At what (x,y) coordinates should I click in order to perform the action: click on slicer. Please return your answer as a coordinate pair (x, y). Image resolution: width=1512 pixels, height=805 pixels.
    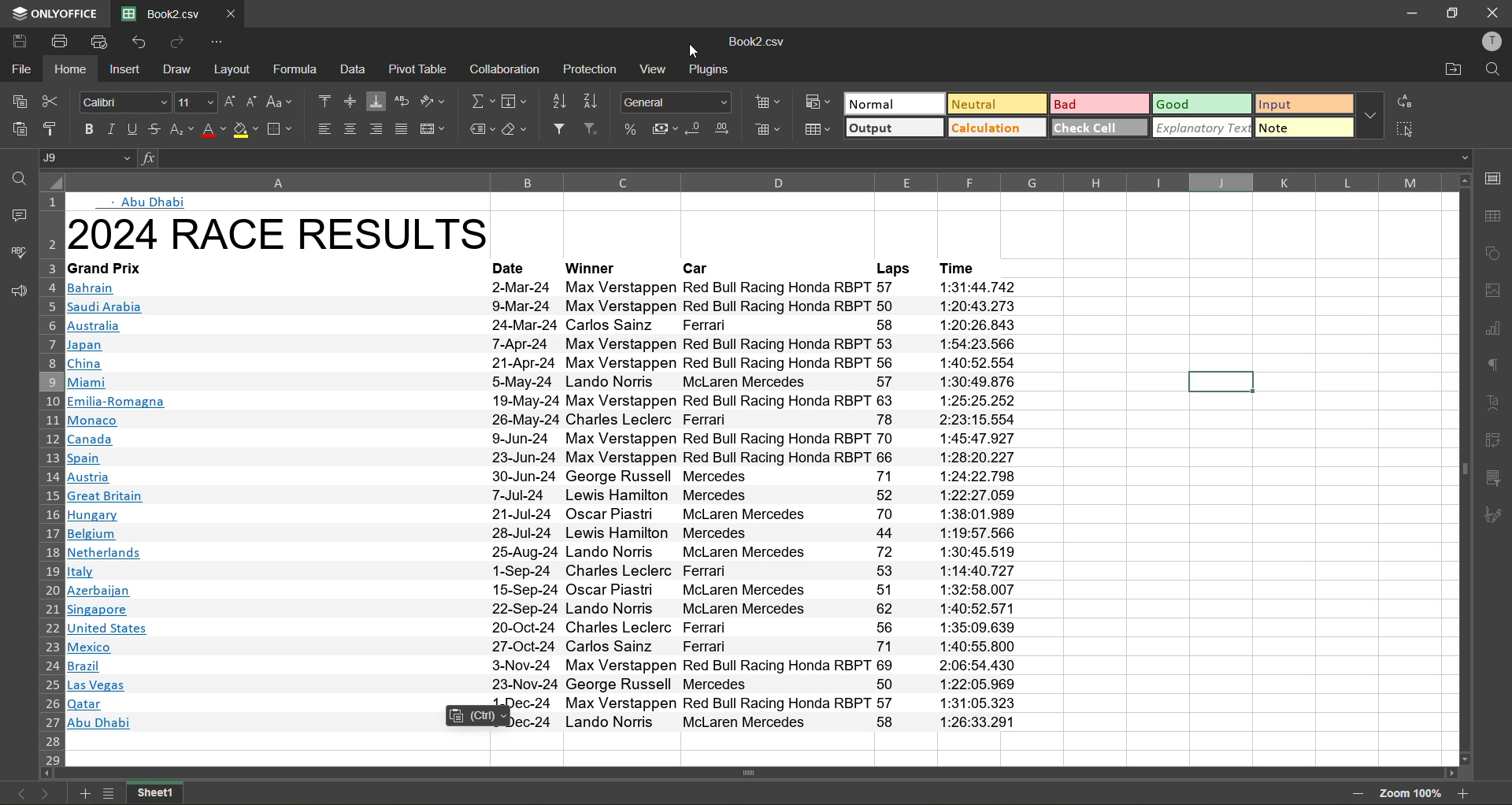
    Looking at the image, I should click on (1495, 479).